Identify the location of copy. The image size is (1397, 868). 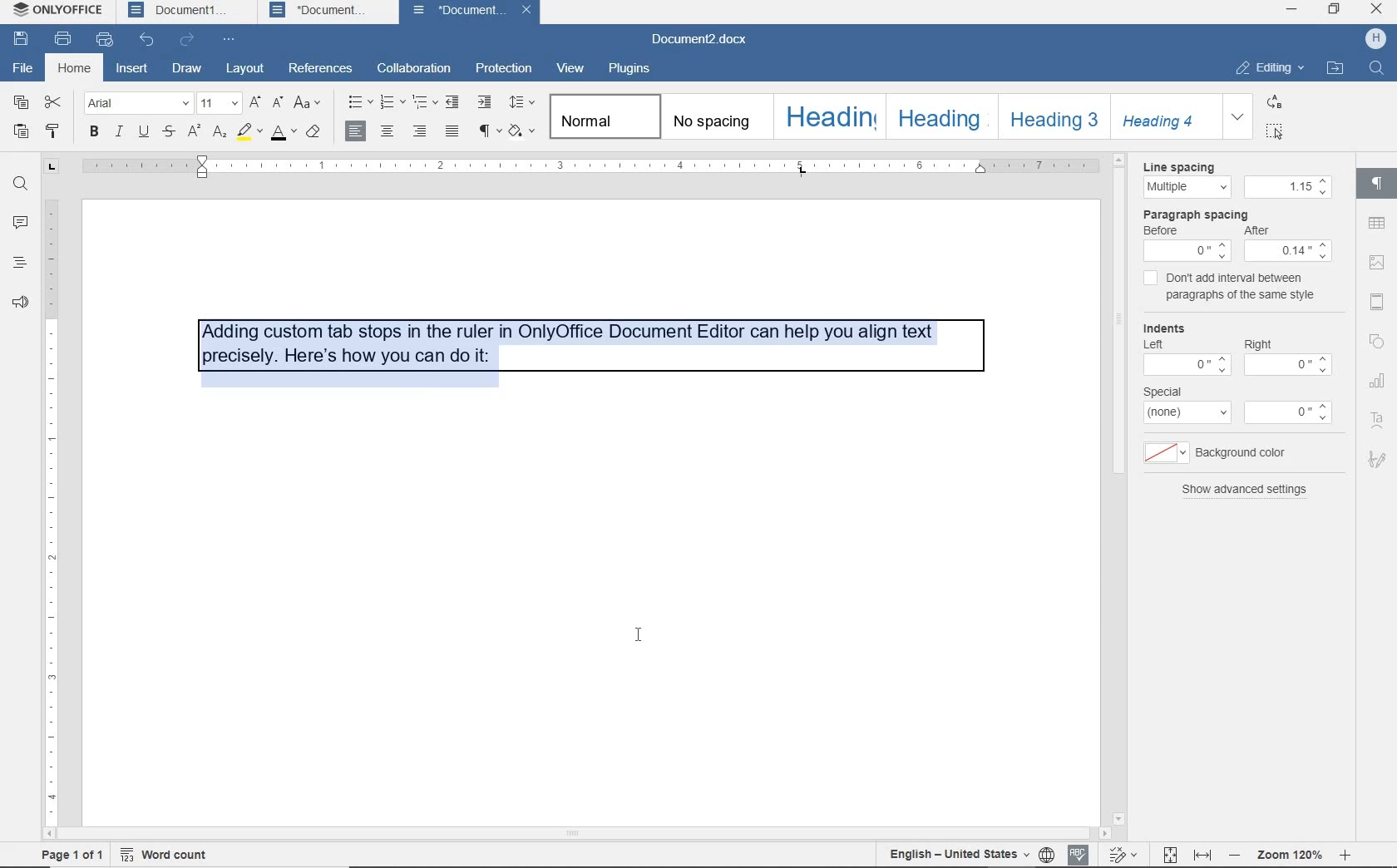
(22, 101).